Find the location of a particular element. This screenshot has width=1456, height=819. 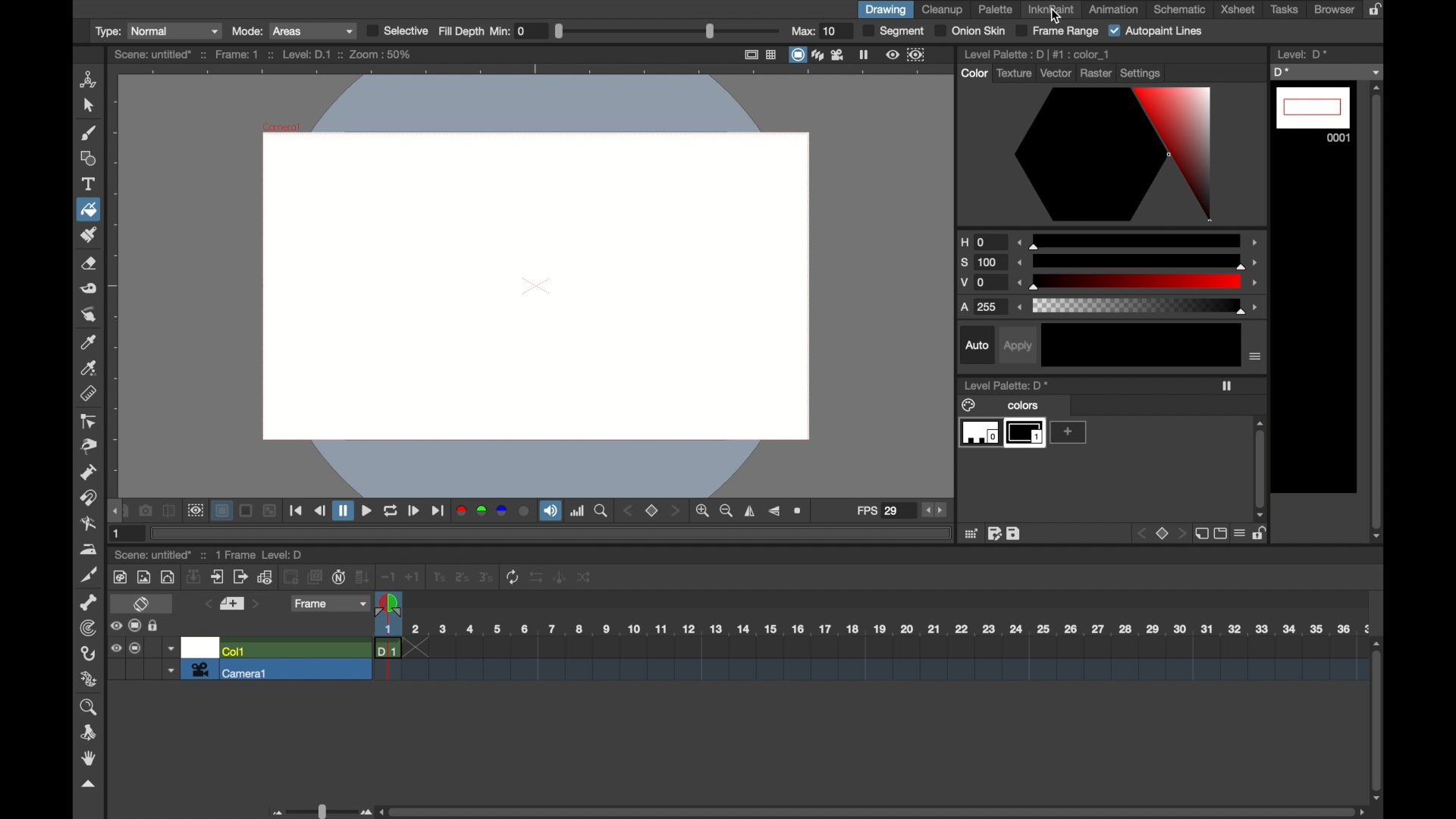

play is located at coordinates (416, 511).